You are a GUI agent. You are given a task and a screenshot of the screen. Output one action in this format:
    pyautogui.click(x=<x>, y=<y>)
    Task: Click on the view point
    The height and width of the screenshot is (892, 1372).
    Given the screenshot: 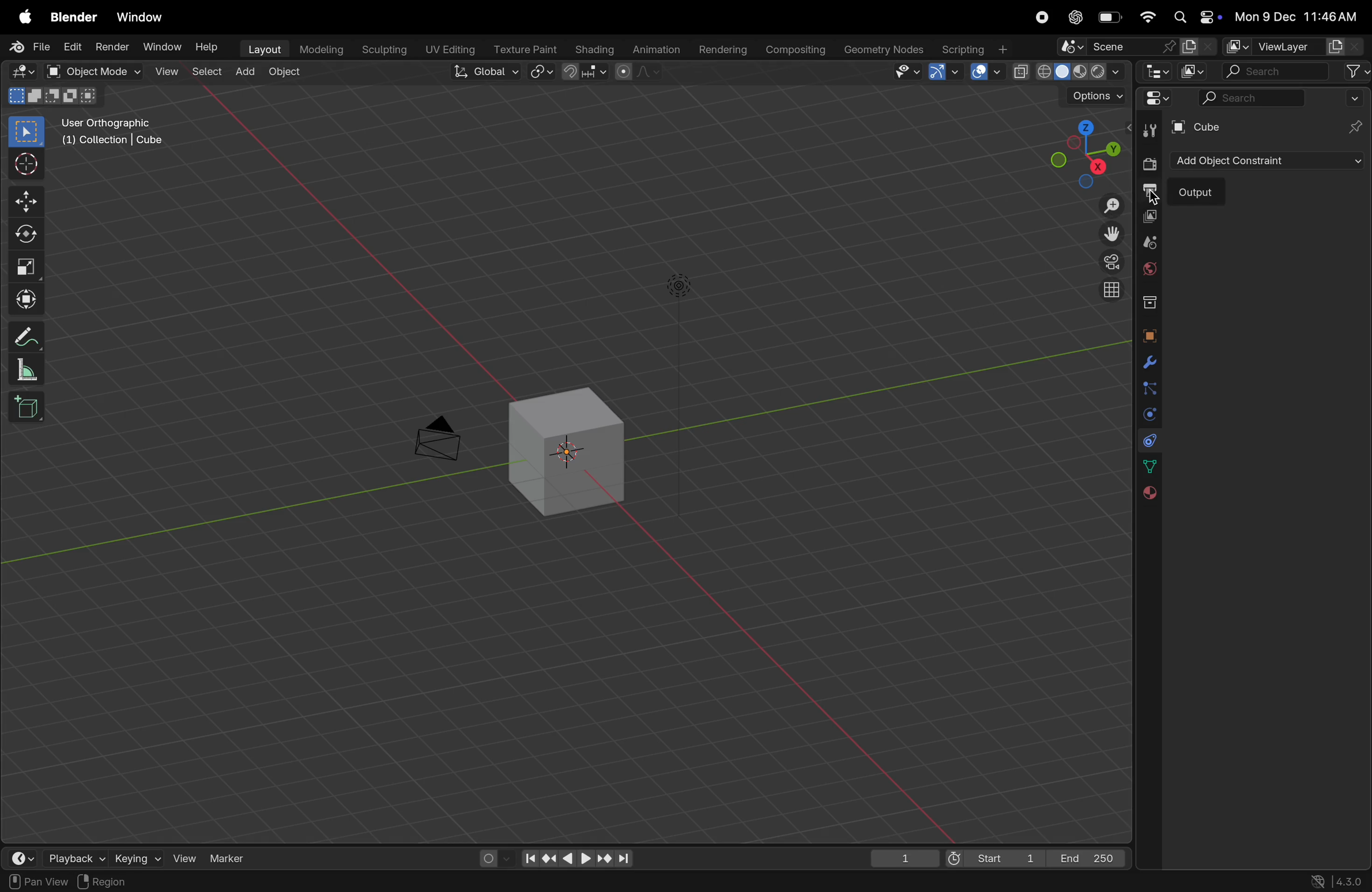 What is the action you would take?
    pyautogui.click(x=1087, y=150)
    